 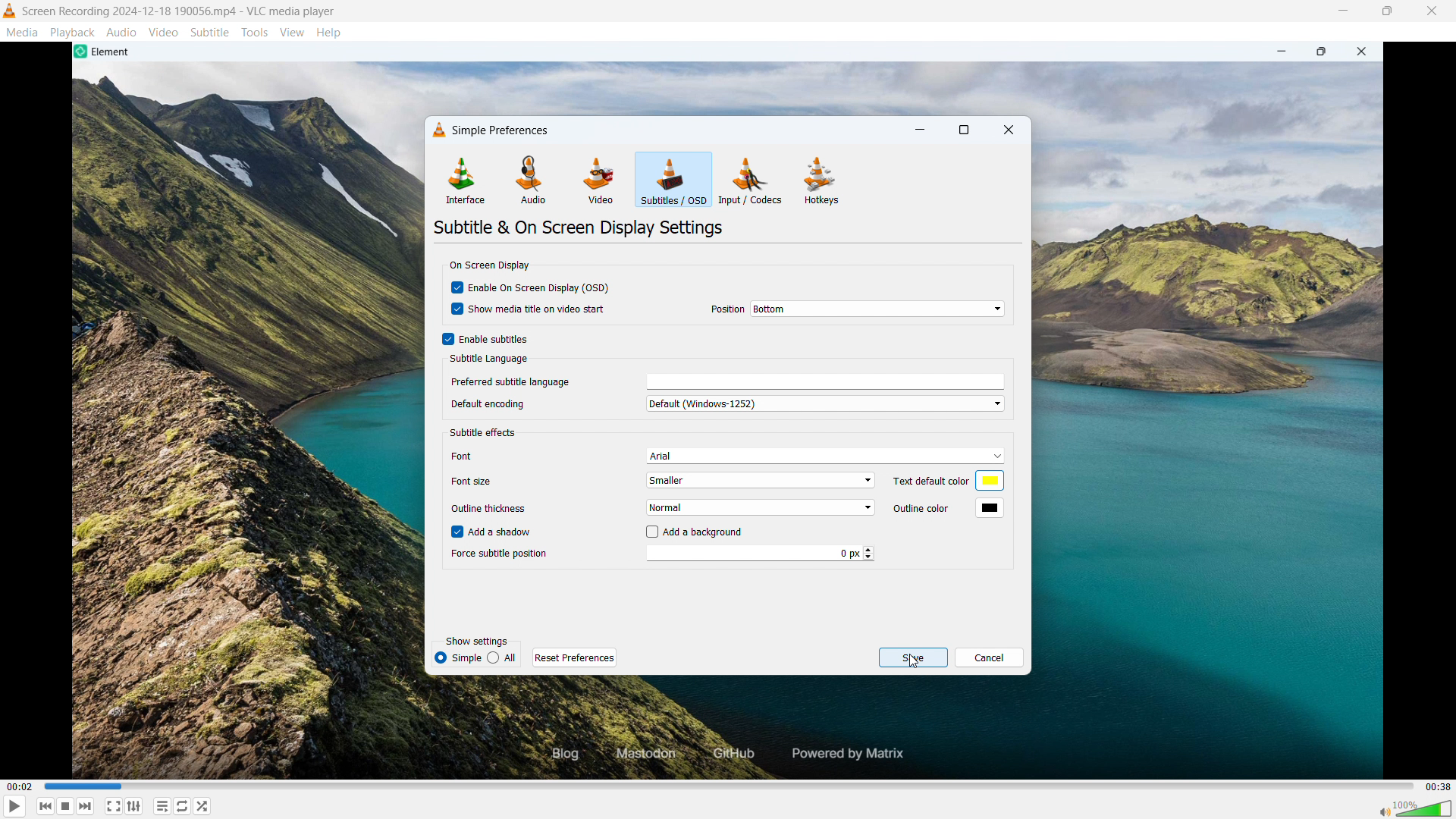 I want to click on Show media title on video start , so click(x=538, y=309).